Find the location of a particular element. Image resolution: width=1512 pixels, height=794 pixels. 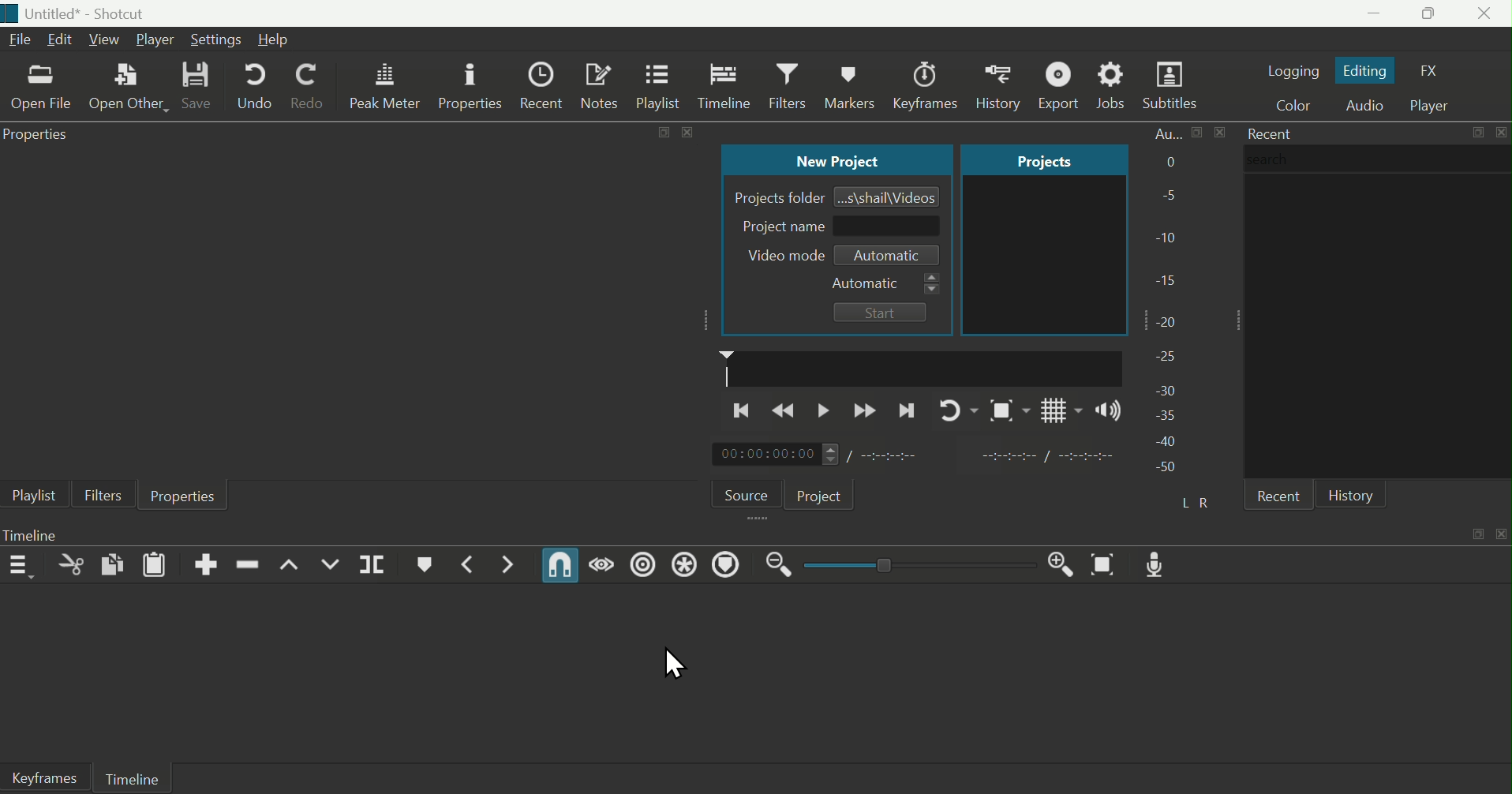

Zoom Timeline out is located at coordinates (779, 569).